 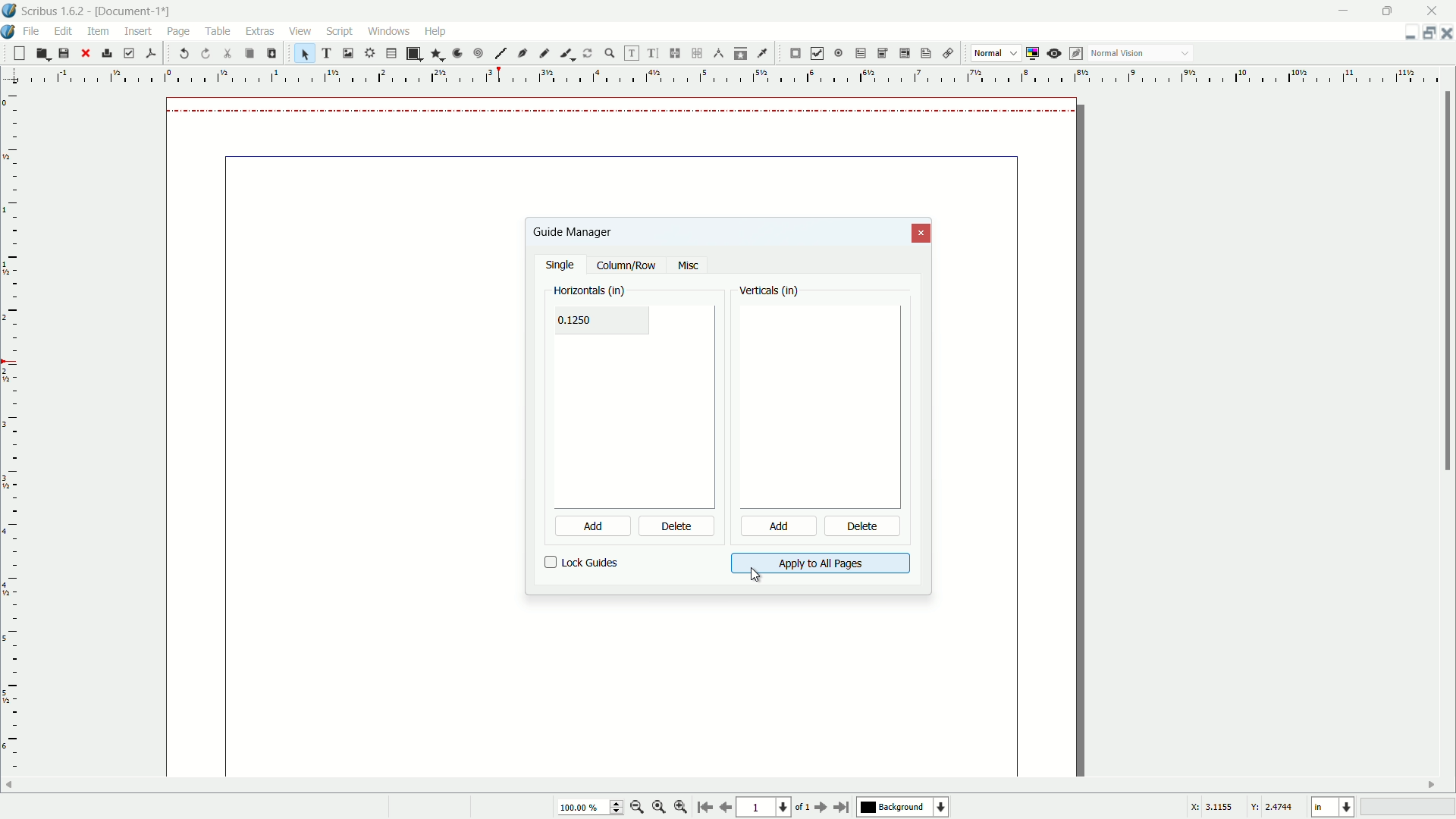 What do you see at coordinates (610, 52) in the screenshot?
I see `zoom in or out` at bounding box center [610, 52].